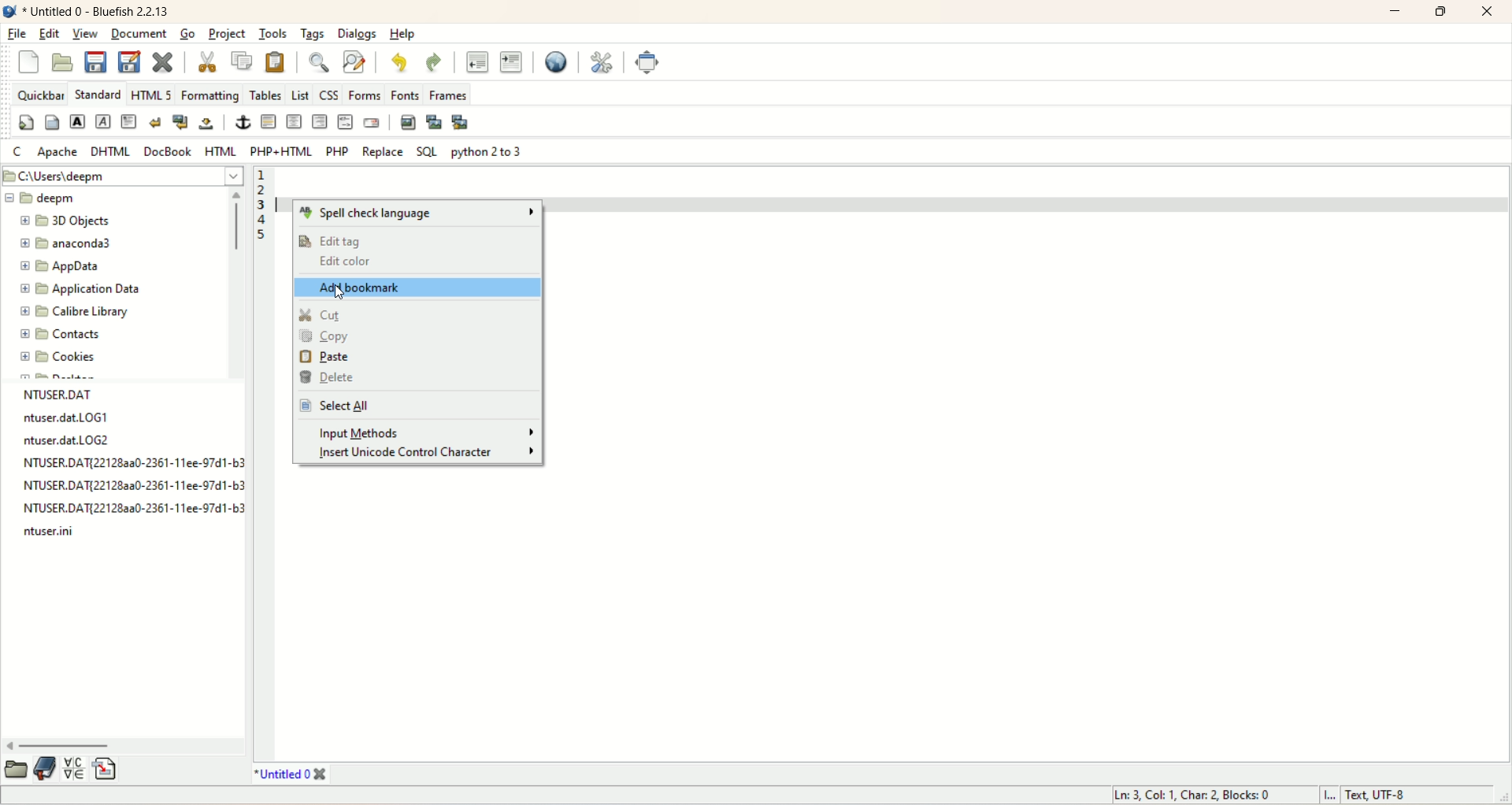 Image resolution: width=1512 pixels, height=805 pixels. Describe the element at coordinates (156, 121) in the screenshot. I see `break` at that location.